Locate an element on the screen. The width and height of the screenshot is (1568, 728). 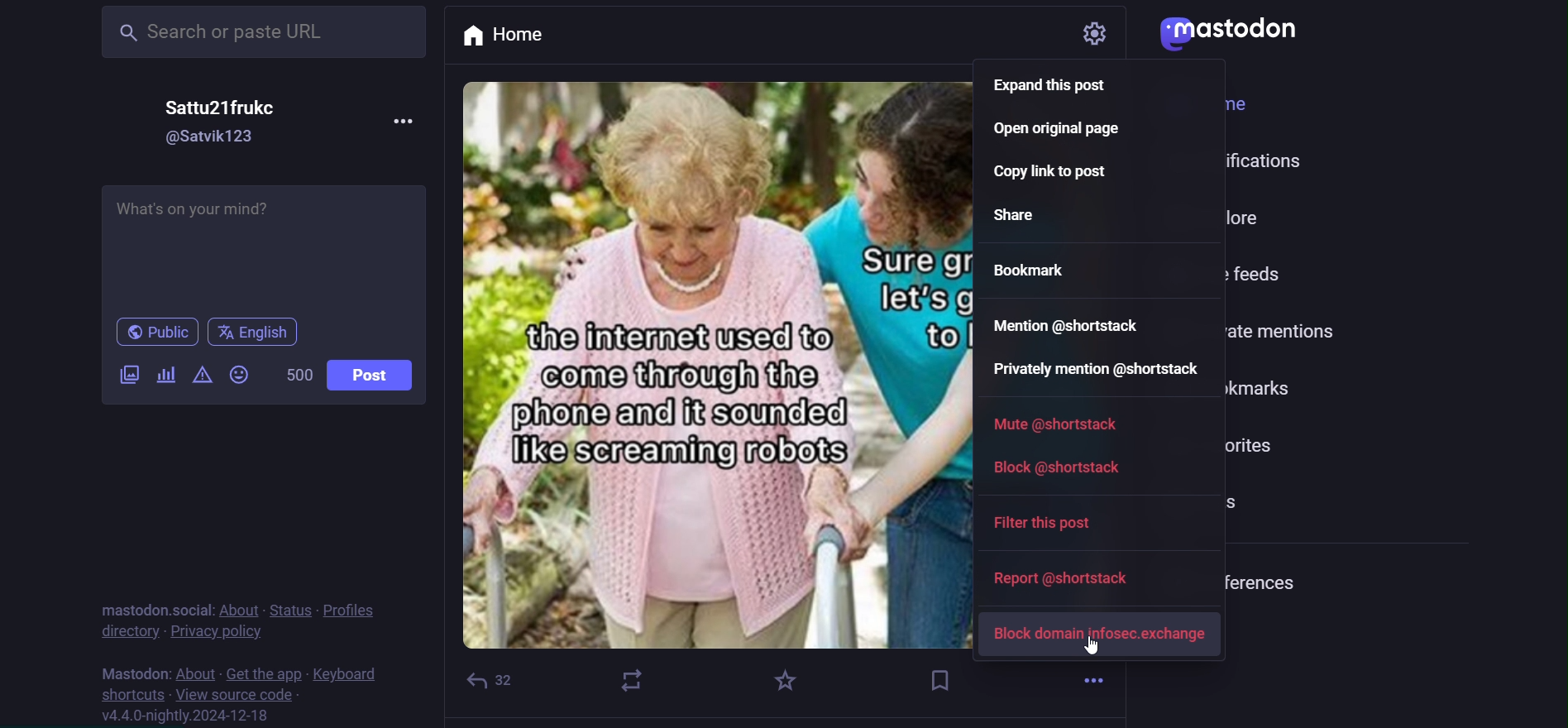
reply is located at coordinates (495, 680).